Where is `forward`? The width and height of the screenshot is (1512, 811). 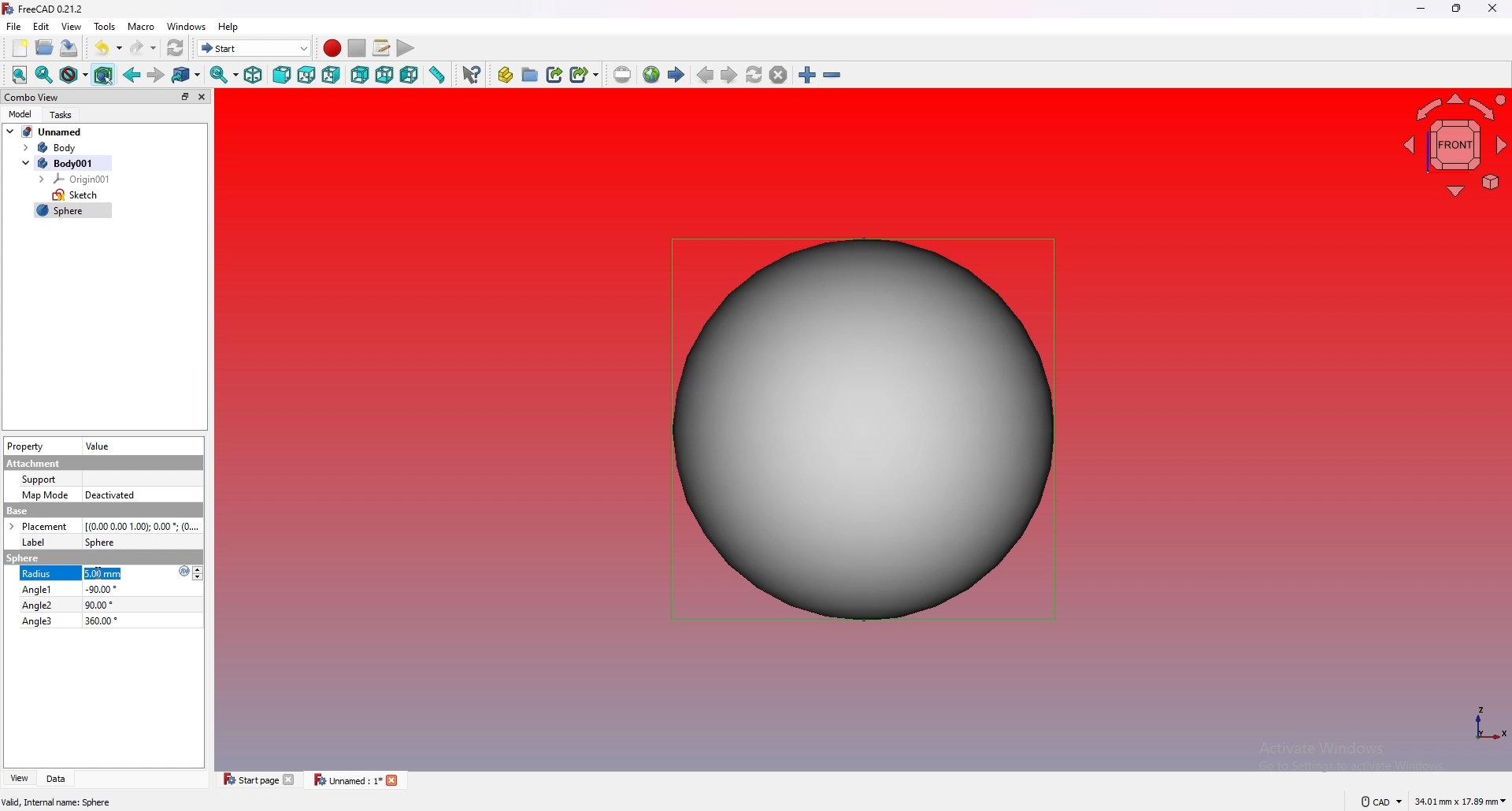
forward is located at coordinates (154, 75).